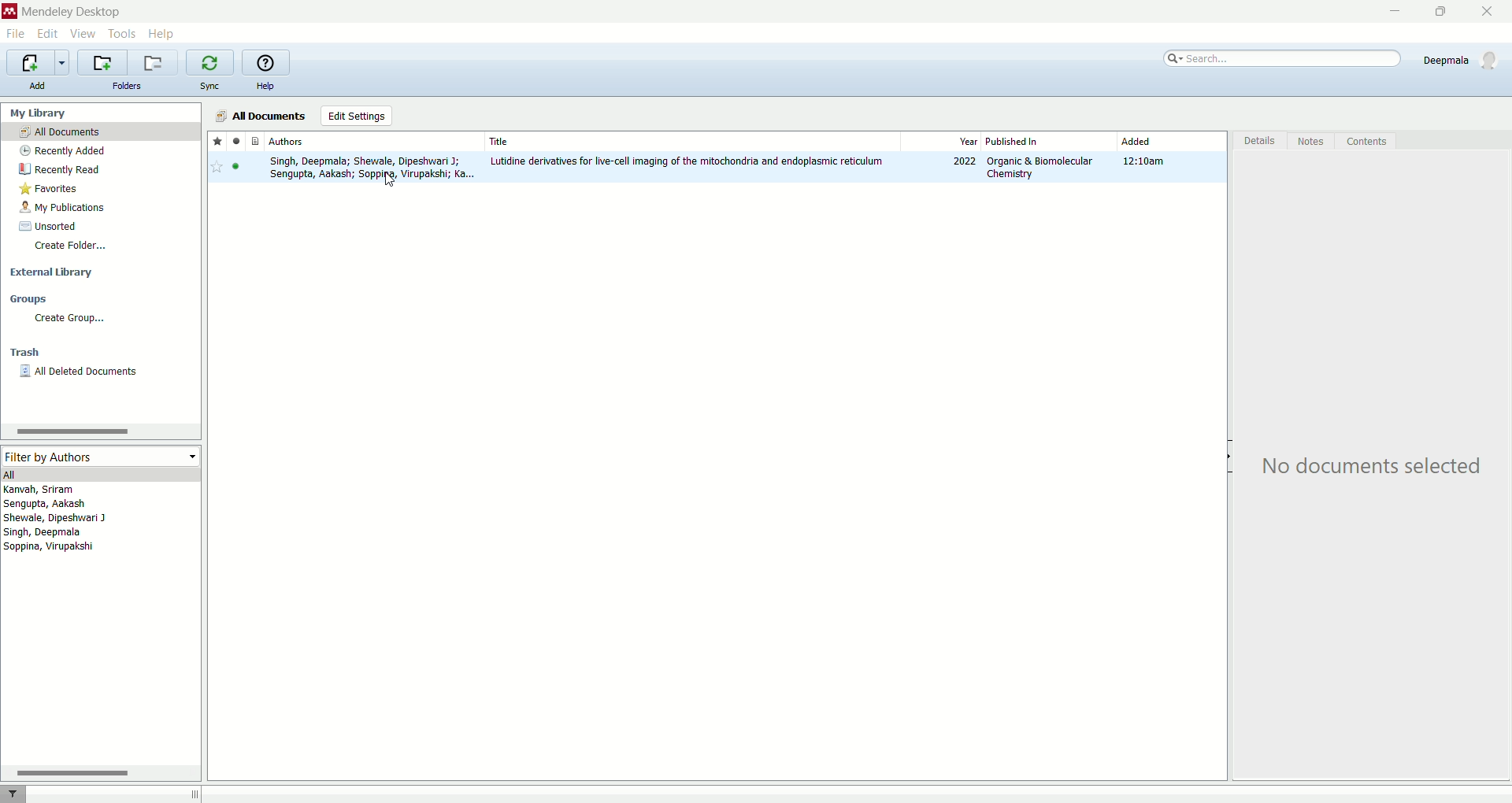  Describe the element at coordinates (101, 224) in the screenshot. I see `unsorted` at that location.